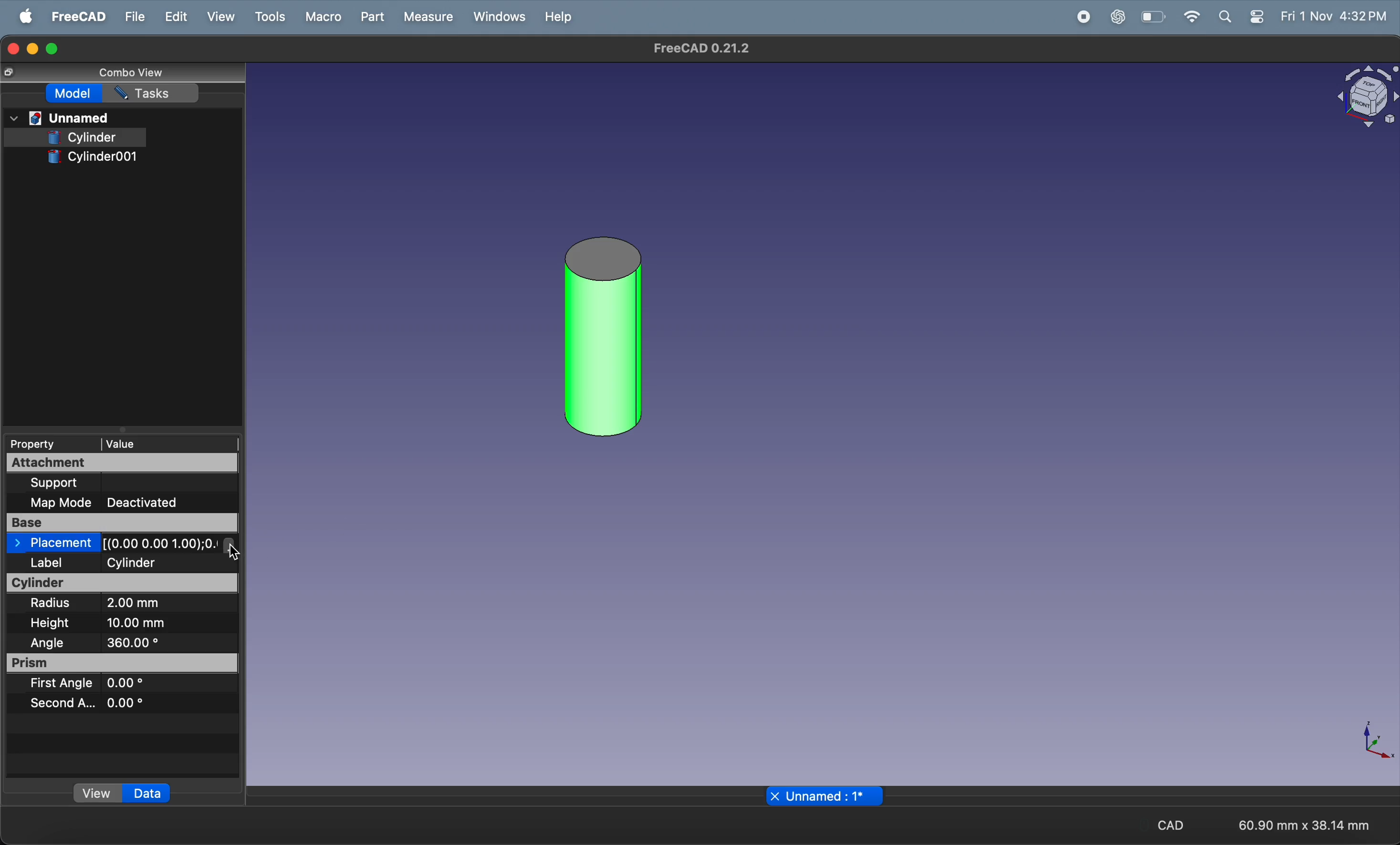 This screenshot has height=845, width=1400. Describe the element at coordinates (56, 563) in the screenshot. I see `label` at that location.